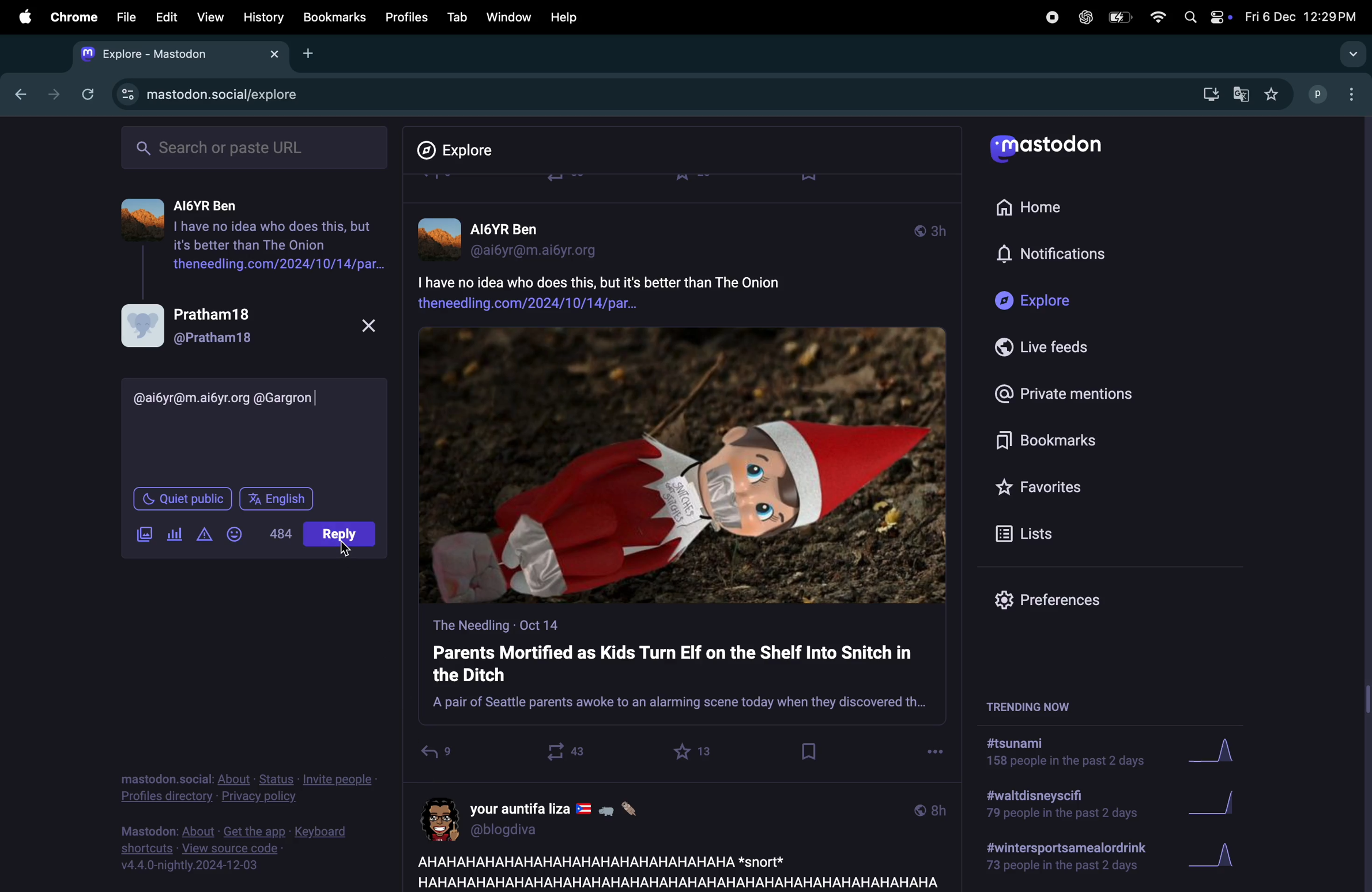 This screenshot has width=1372, height=892. I want to click on emoji, so click(237, 532).